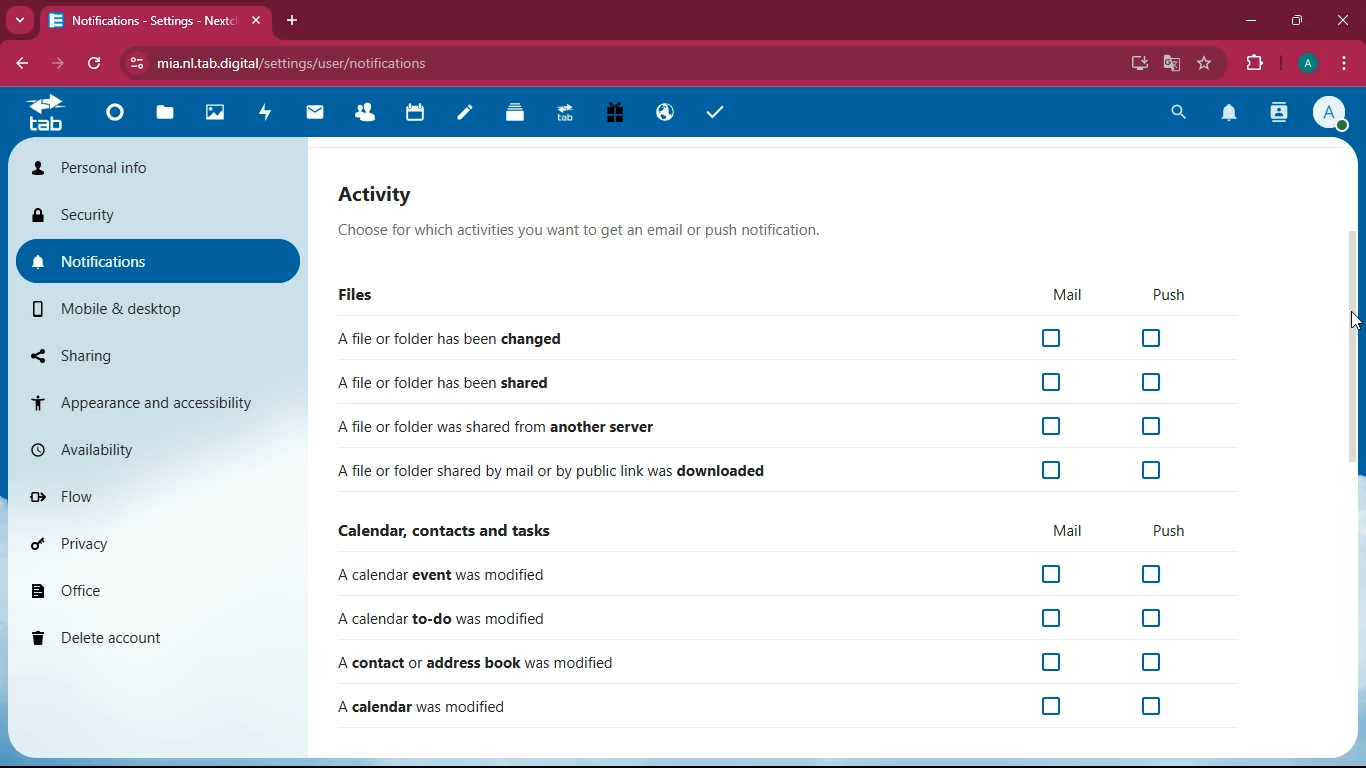 The image size is (1366, 768). Describe the element at coordinates (1105, 63) in the screenshot. I see `password` at that location.